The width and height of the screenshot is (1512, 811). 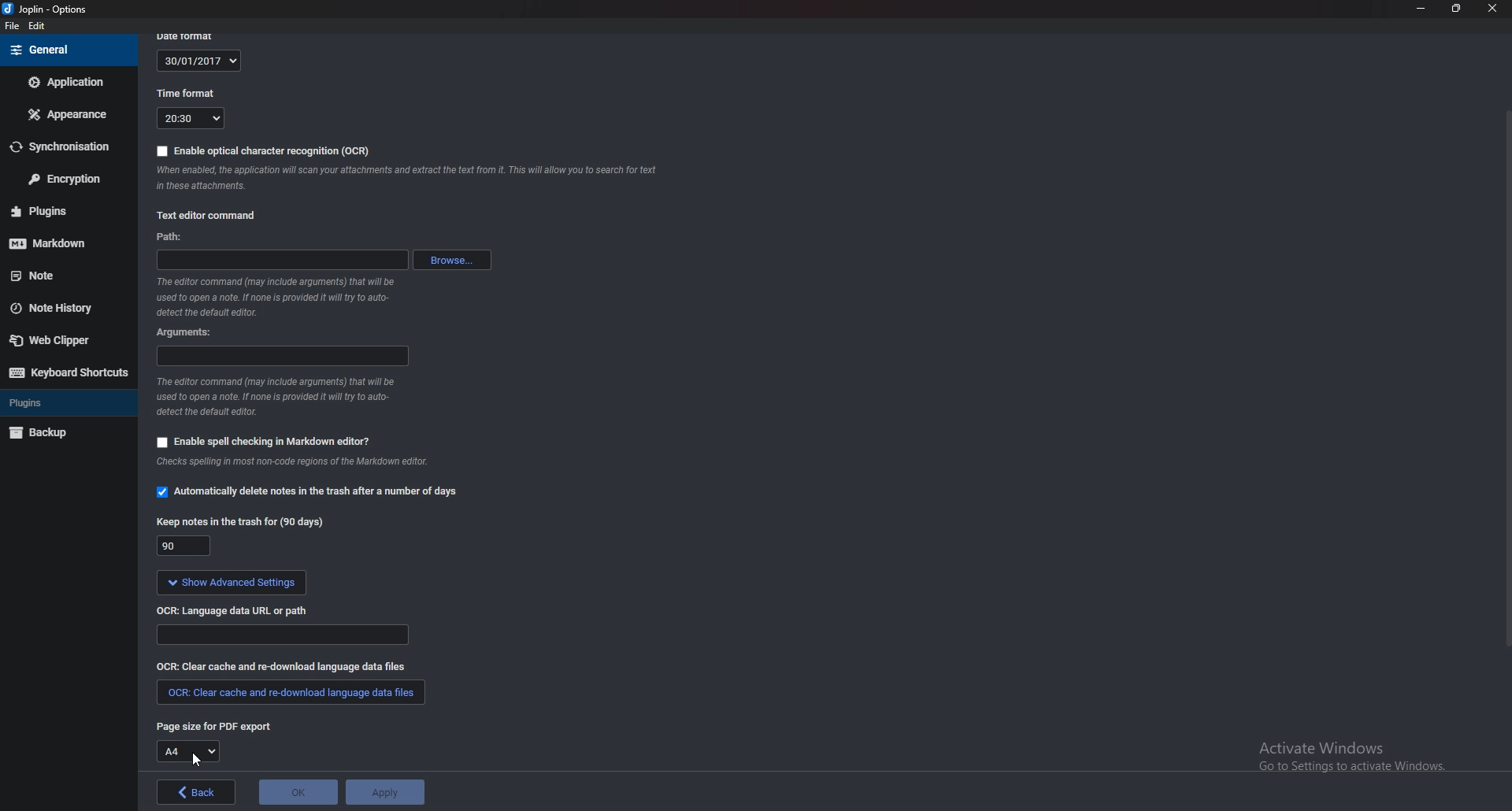 I want to click on Edit, so click(x=37, y=27).